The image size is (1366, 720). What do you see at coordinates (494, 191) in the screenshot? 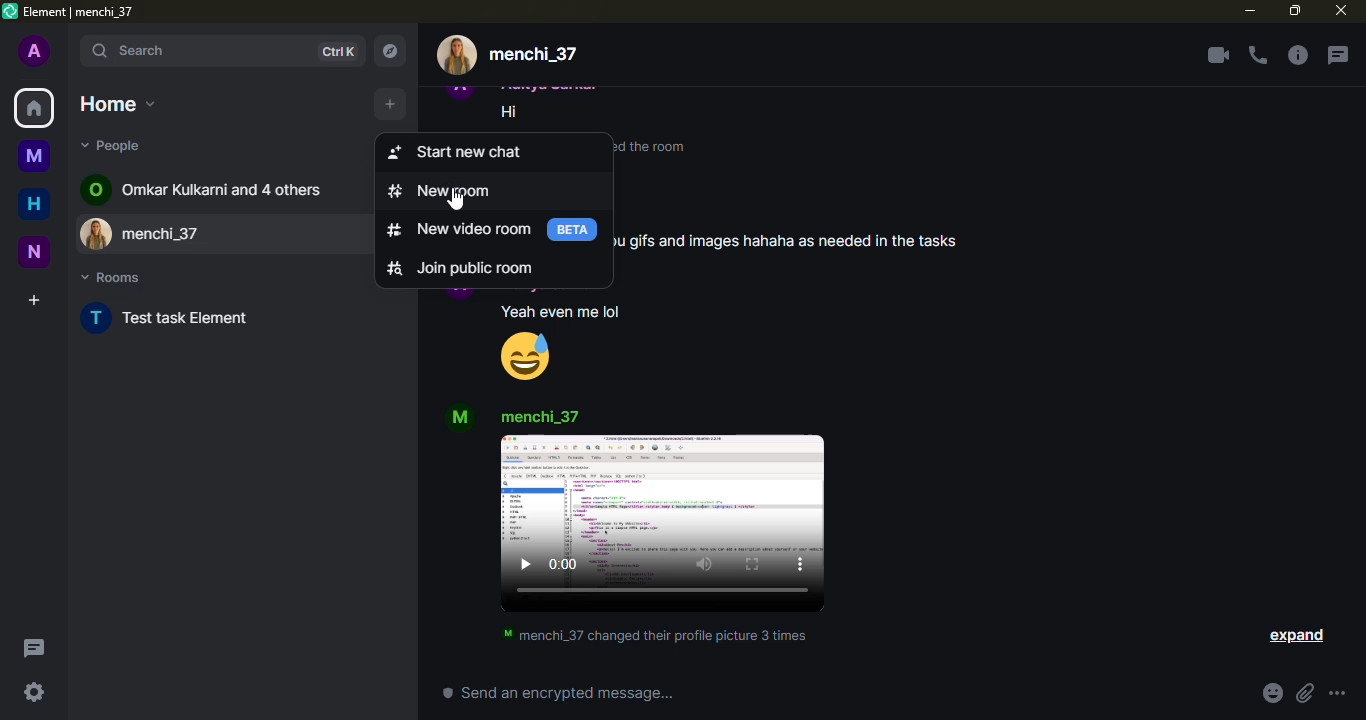
I see `new room` at bounding box center [494, 191].